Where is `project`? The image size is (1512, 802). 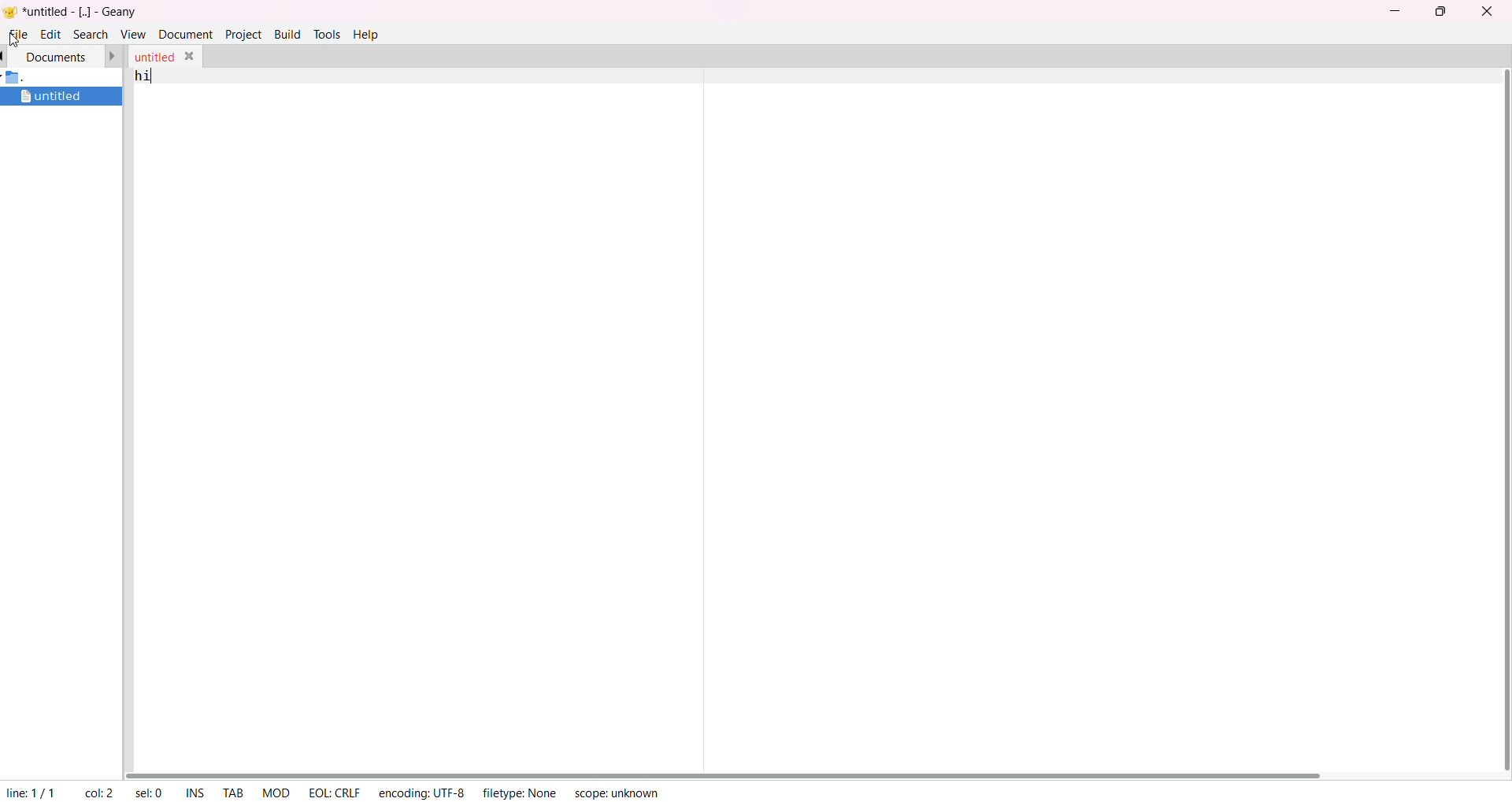 project is located at coordinates (243, 34).